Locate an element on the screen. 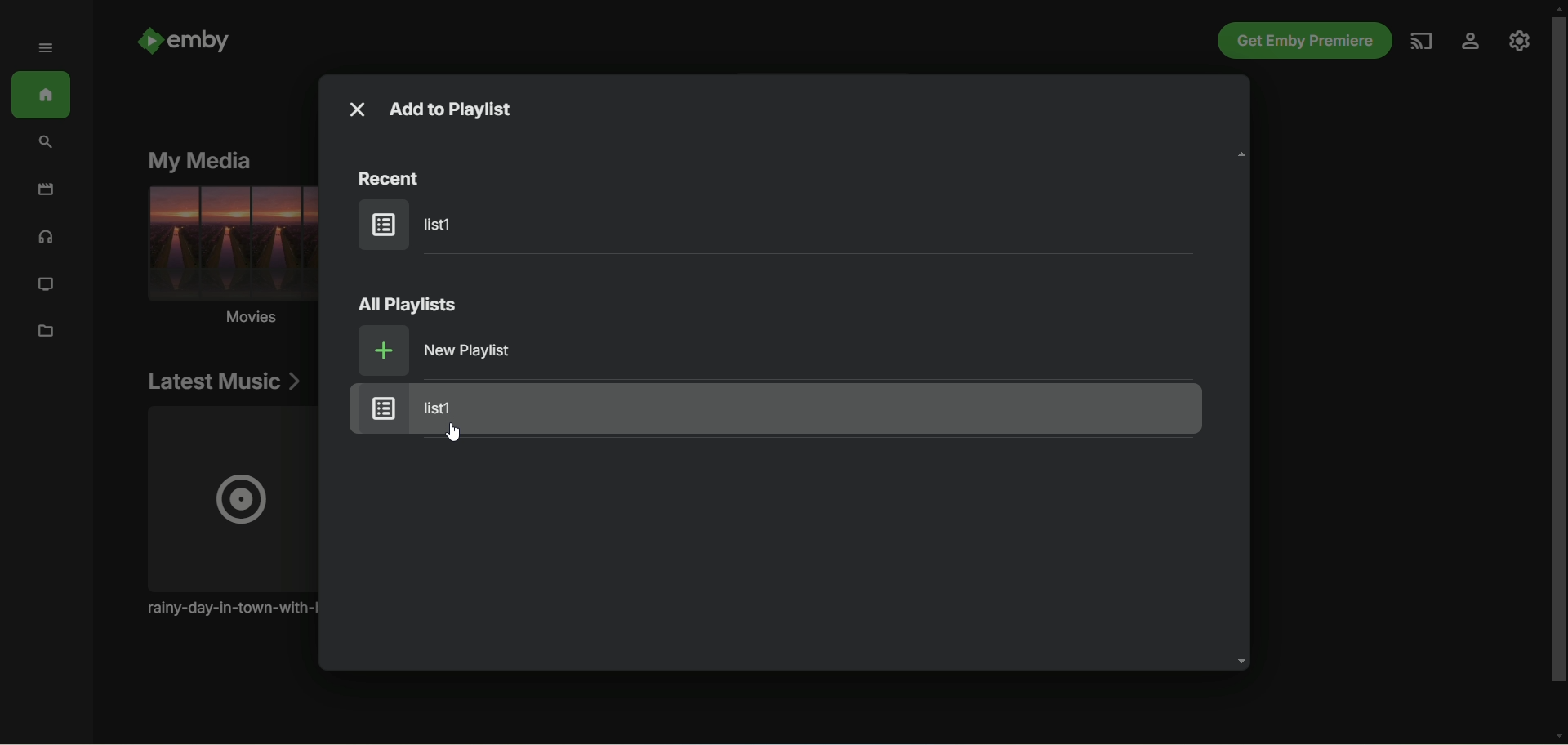  add to playlist is located at coordinates (459, 108).